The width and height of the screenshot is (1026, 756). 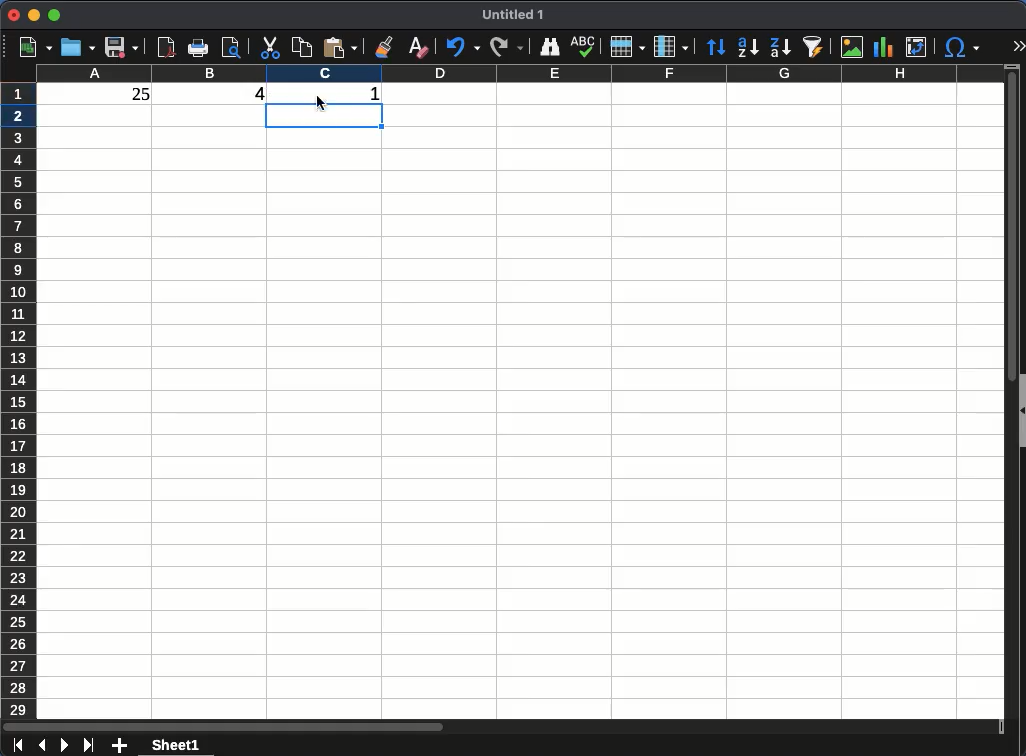 I want to click on scroll, so click(x=1004, y=401).